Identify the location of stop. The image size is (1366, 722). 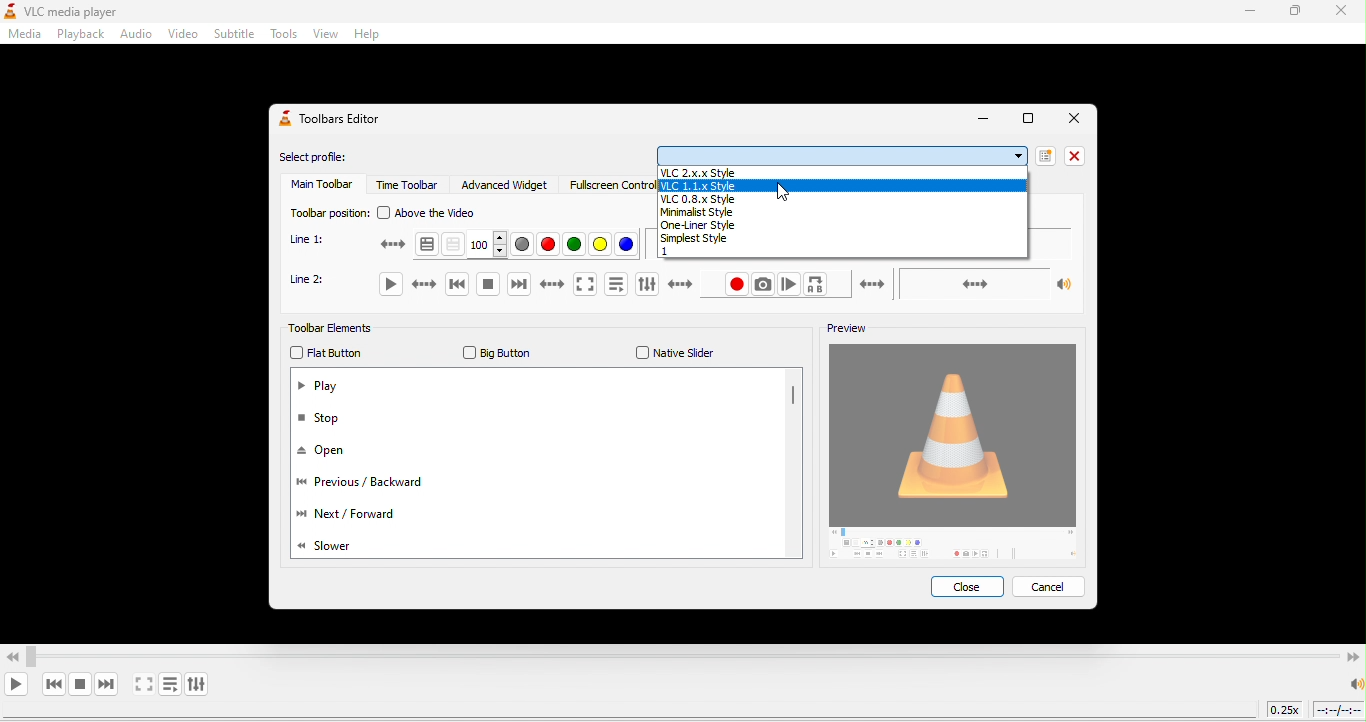
(329, 419).